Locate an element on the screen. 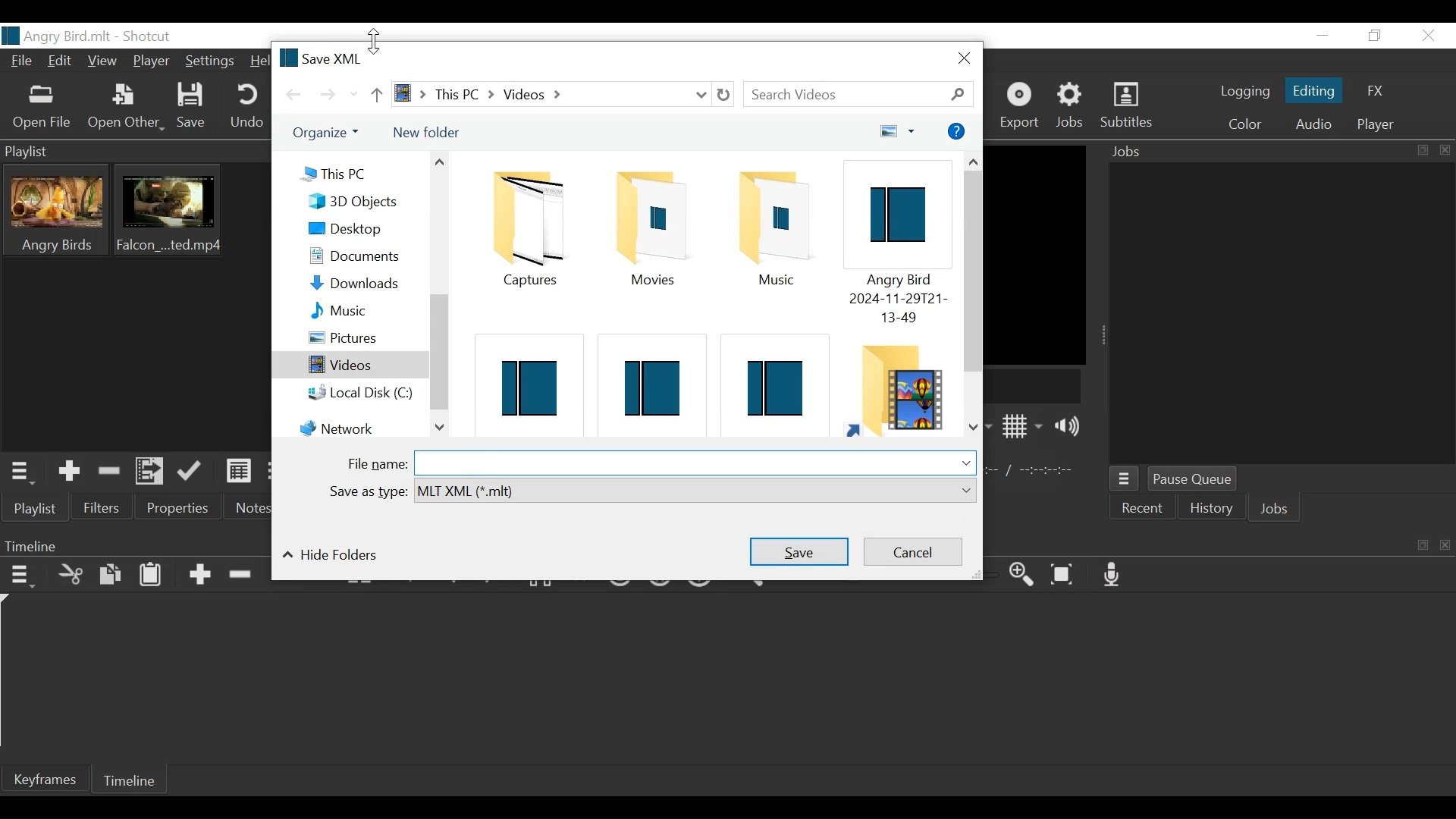  Edit is located at coordinates (61, 63).